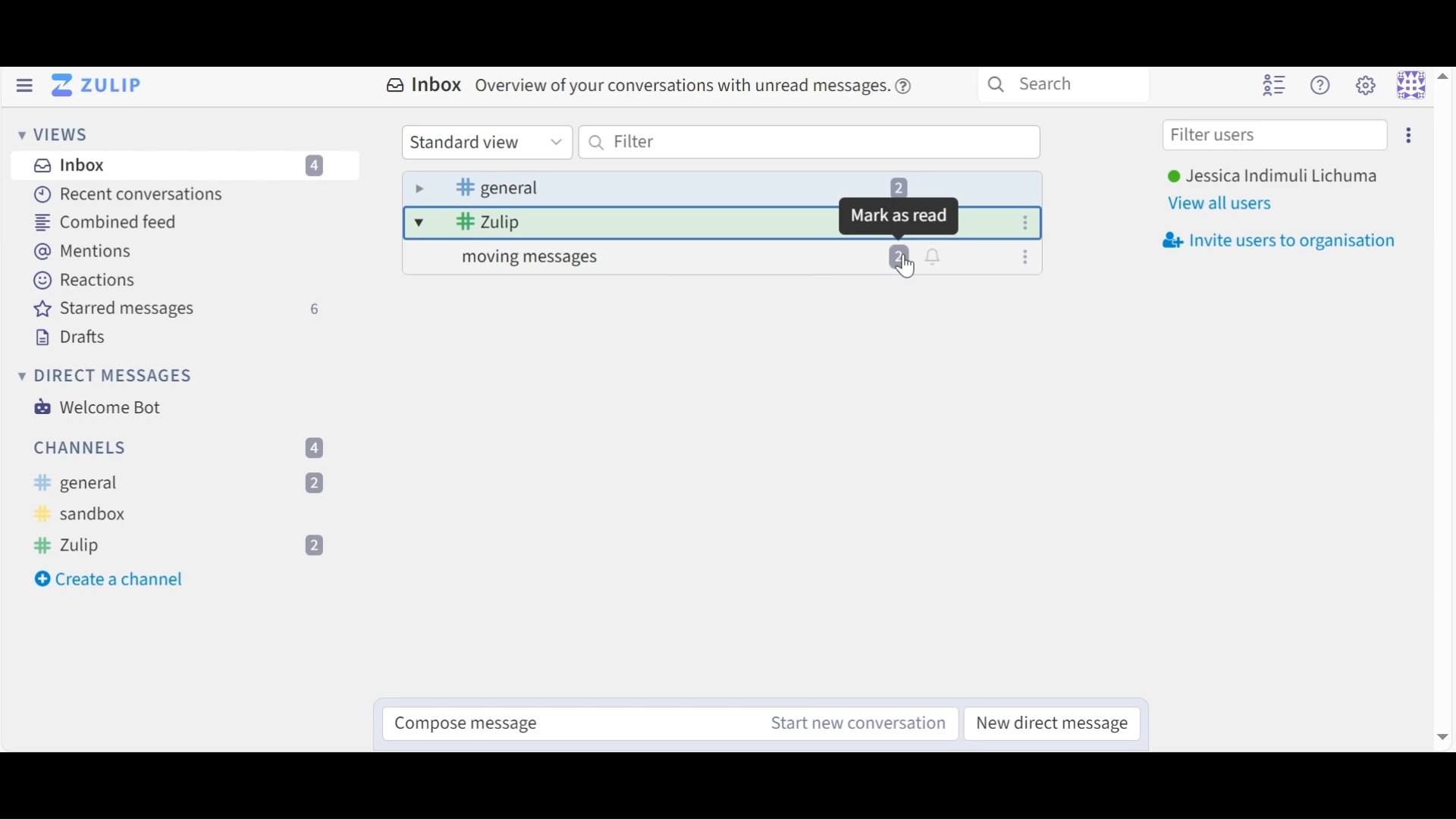  I want to click on Hide left Sidebar, so click(24, 87).